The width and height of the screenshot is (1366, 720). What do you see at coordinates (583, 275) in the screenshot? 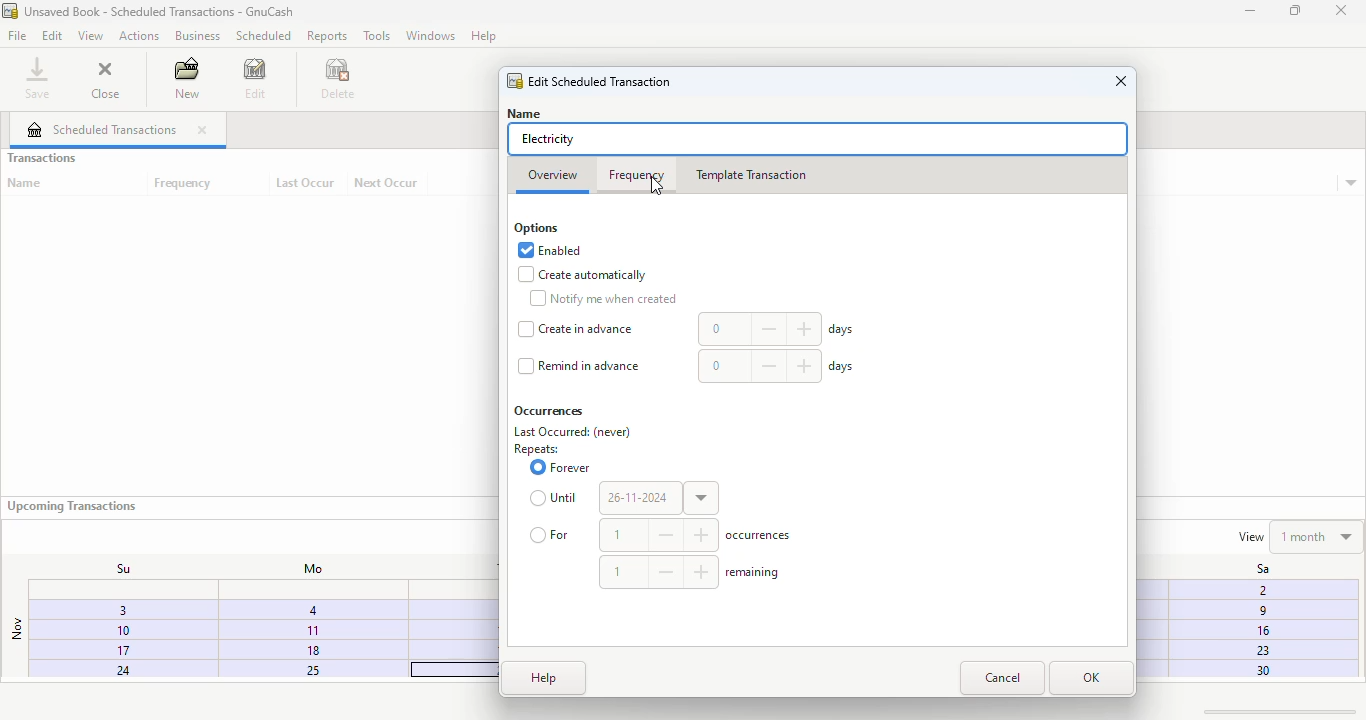
I see `create automatically` at bounding box center [583, 275].